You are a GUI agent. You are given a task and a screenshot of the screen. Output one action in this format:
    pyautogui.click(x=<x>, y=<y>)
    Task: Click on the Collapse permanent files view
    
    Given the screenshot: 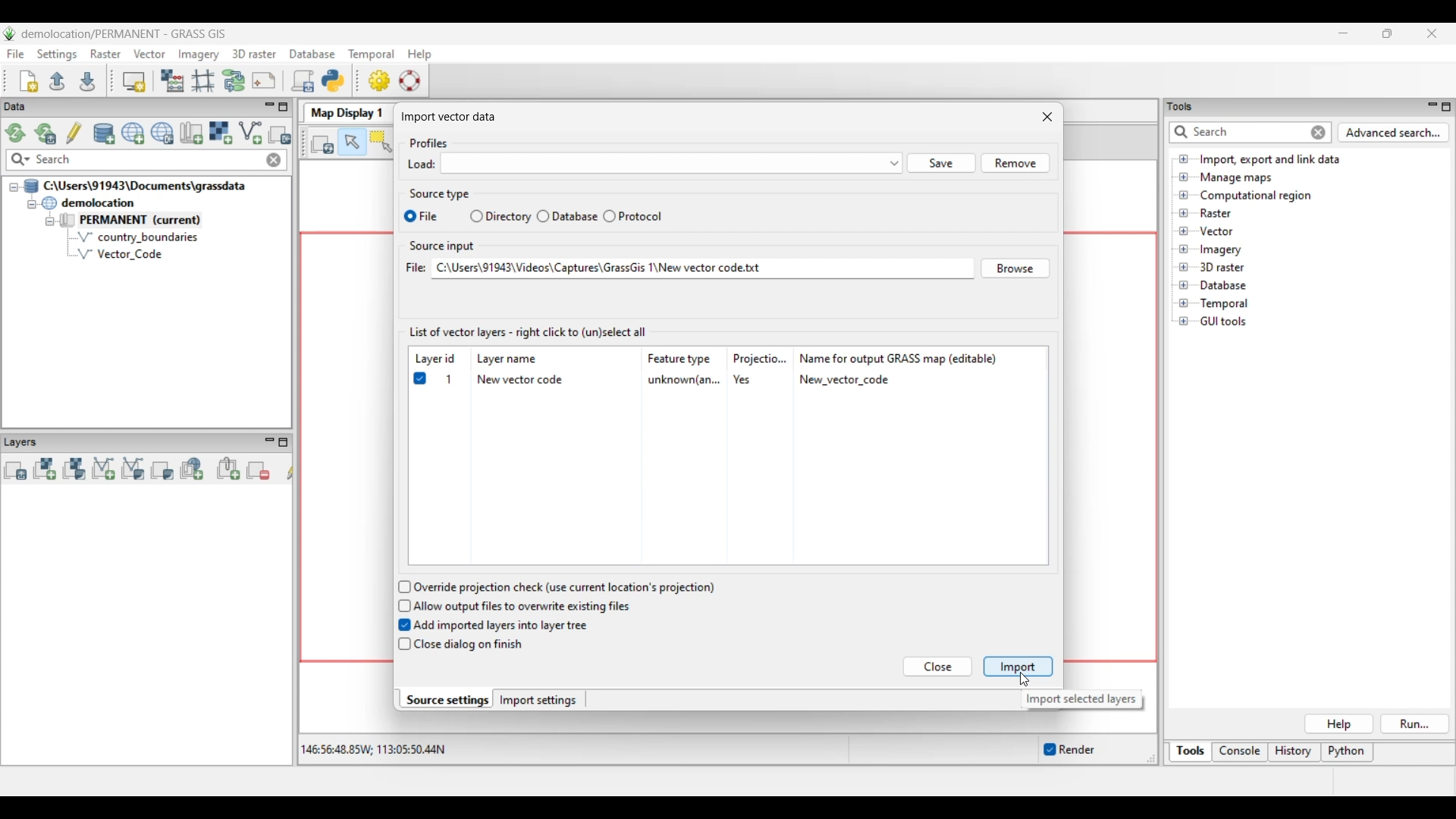 What is the action you would take?
    pyautogui.click(x=50, y=221)
    